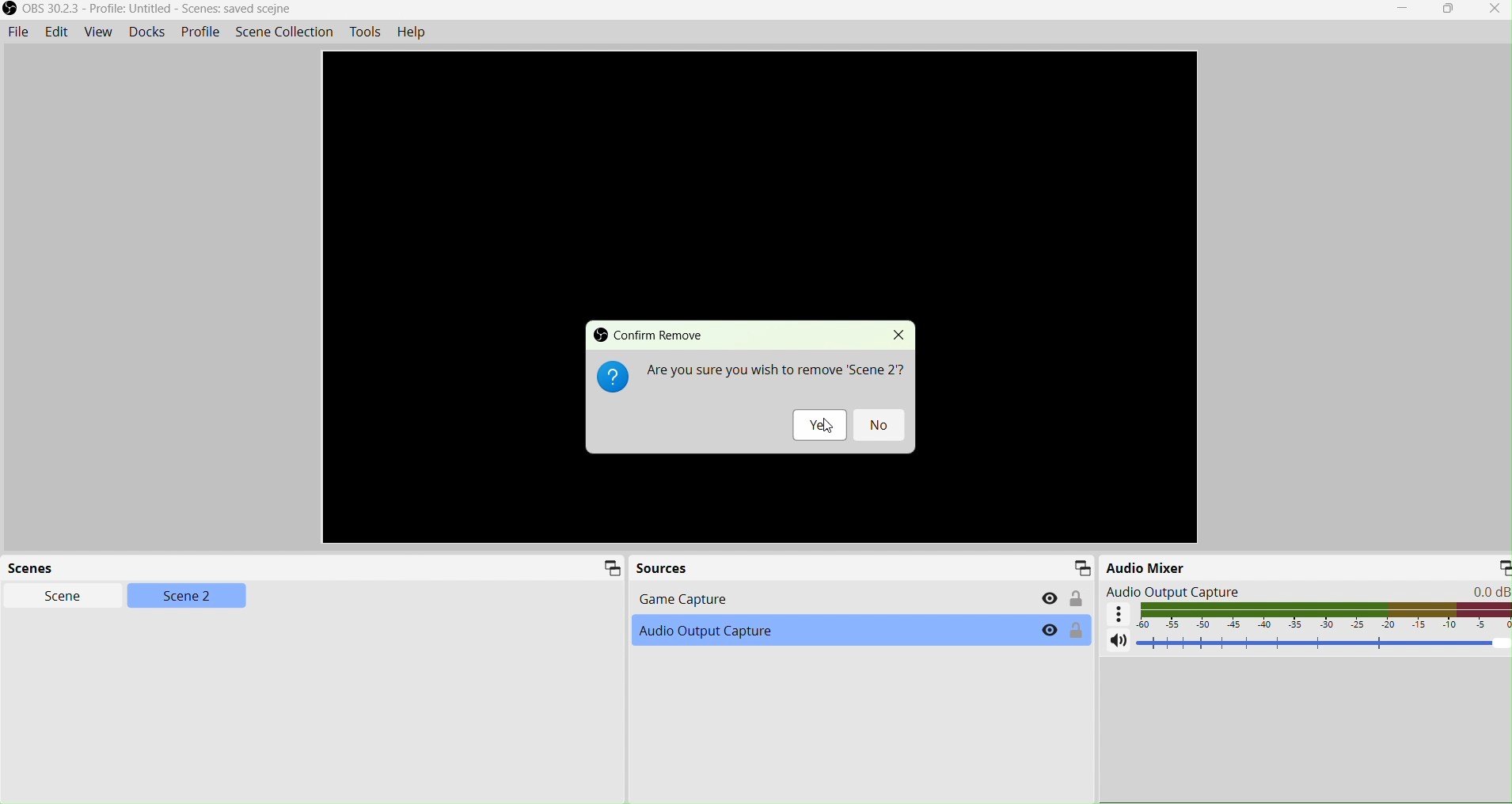 This screenshot has height=804, width=1512. What do you see at coordinates (368, 32) in the screenshot?
I see `Tools` at bounding box center [368, 32].